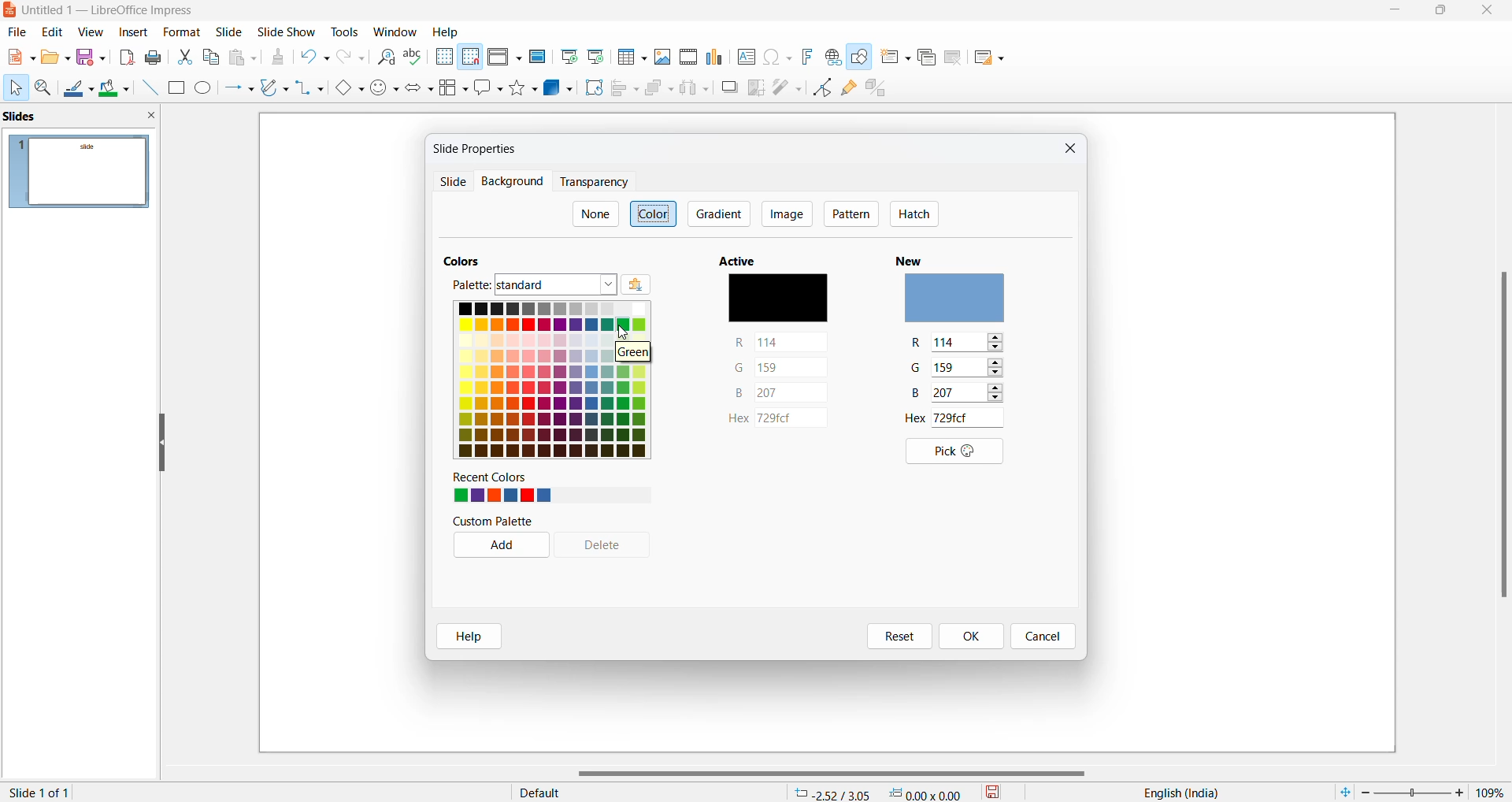 The width and height of the screenshot is (1512, 802). Describe the element at coordinates (721, 213) in the screenshot. I see `gradient ` at that location.